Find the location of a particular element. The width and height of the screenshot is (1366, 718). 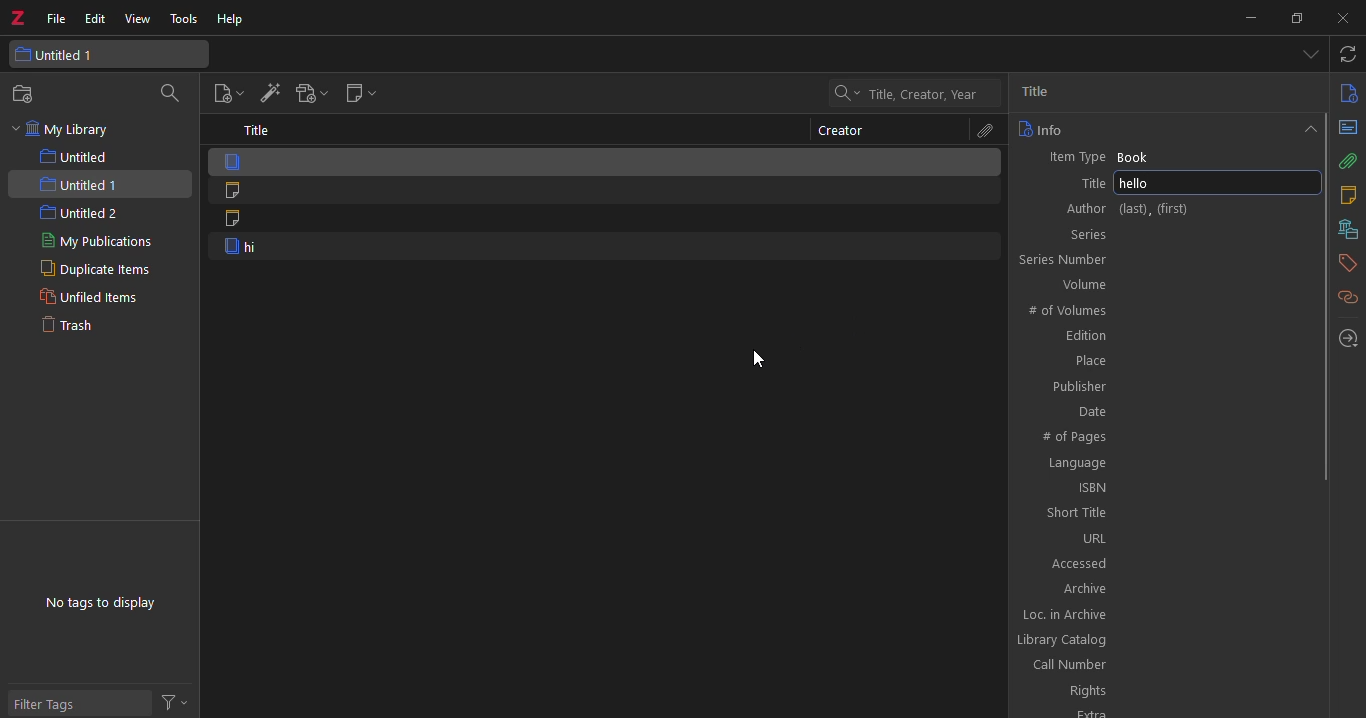

tools is located at coordinates (187, 20).